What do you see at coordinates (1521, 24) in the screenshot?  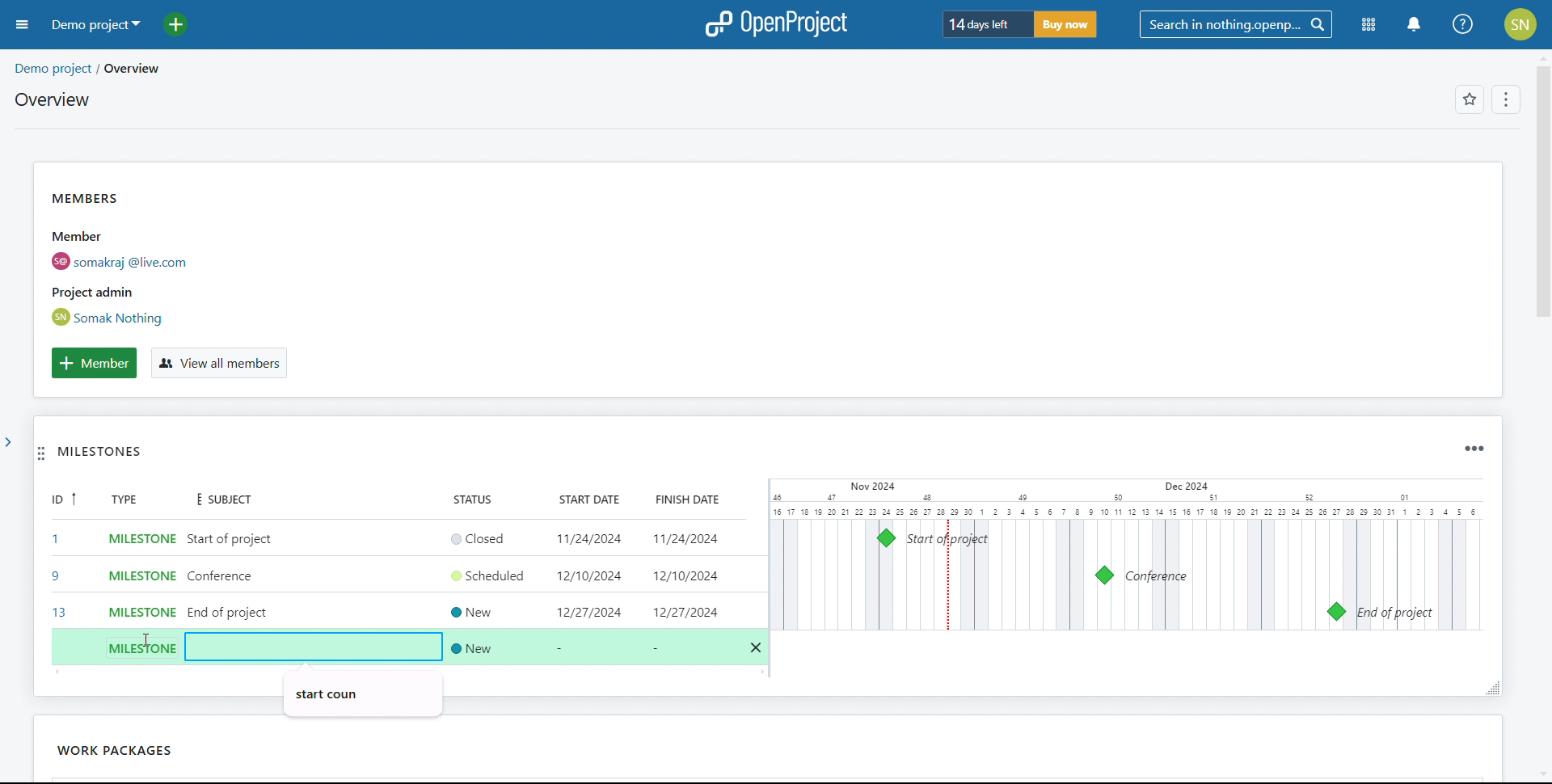 I see `account` at bounding box center [1521, 24].